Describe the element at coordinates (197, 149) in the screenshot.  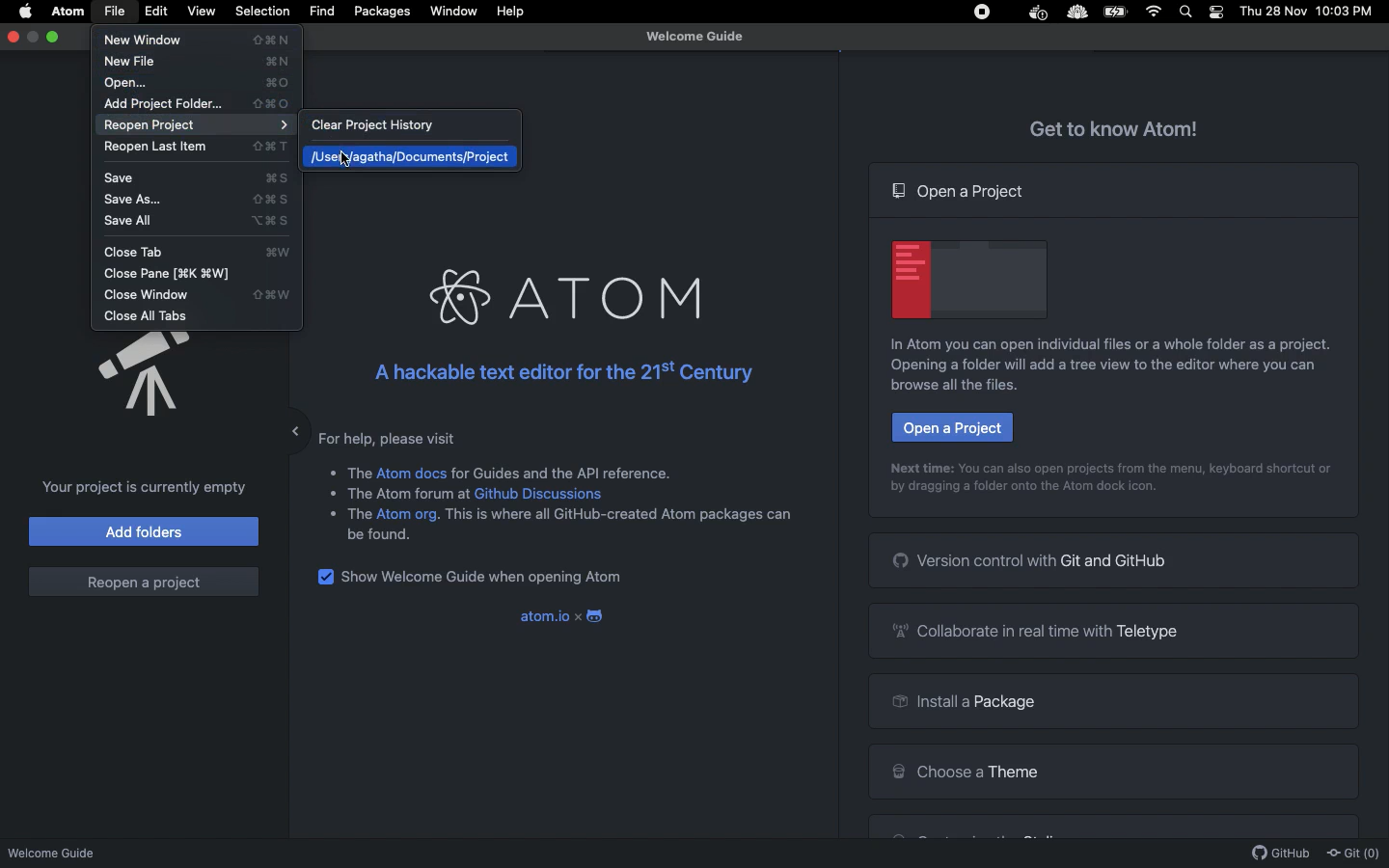
I see `Reopen last item` at that location.